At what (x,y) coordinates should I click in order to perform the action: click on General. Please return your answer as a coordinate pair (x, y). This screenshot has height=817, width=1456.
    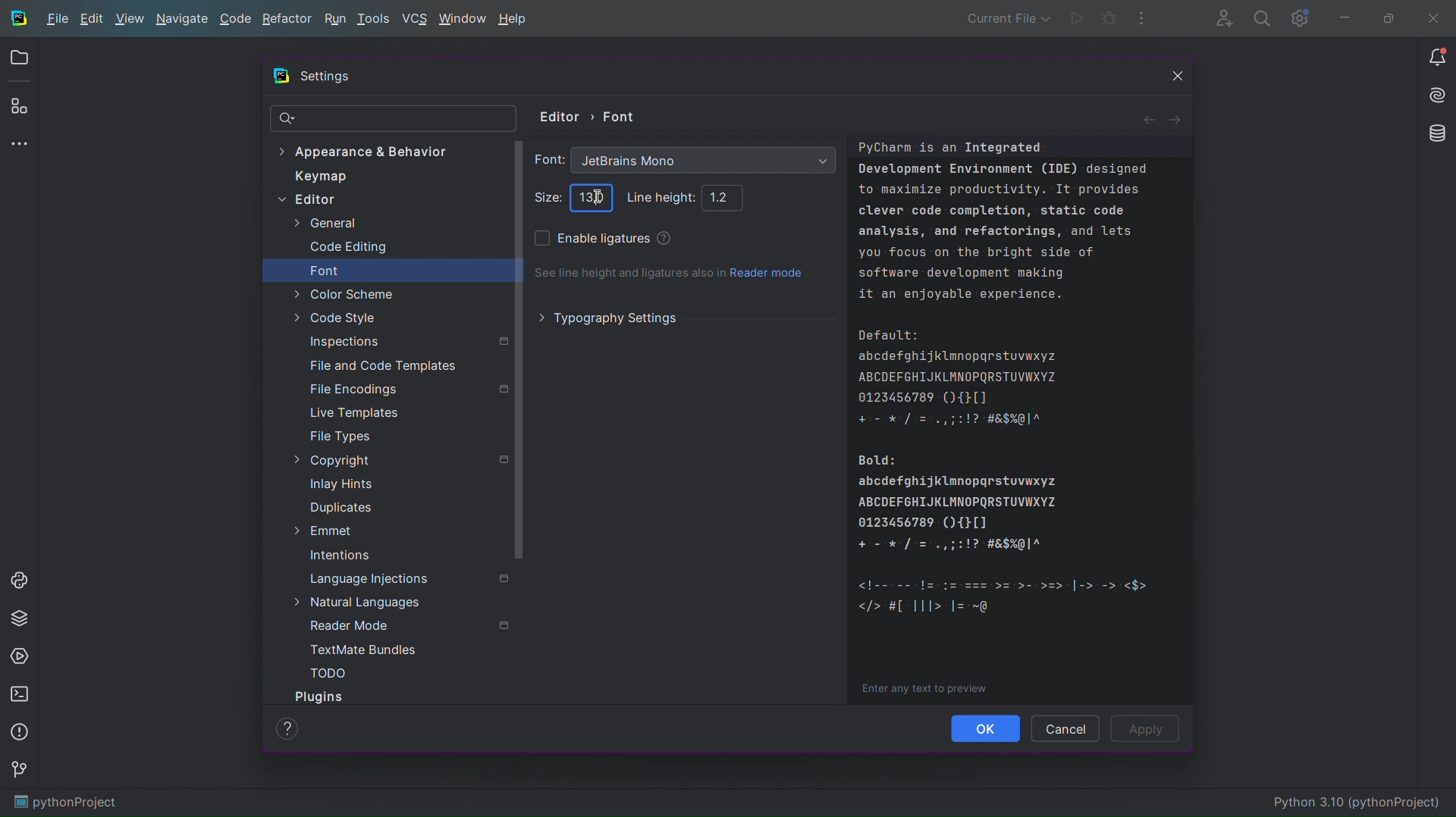
    Looking at the image, I should click on (324, 225).